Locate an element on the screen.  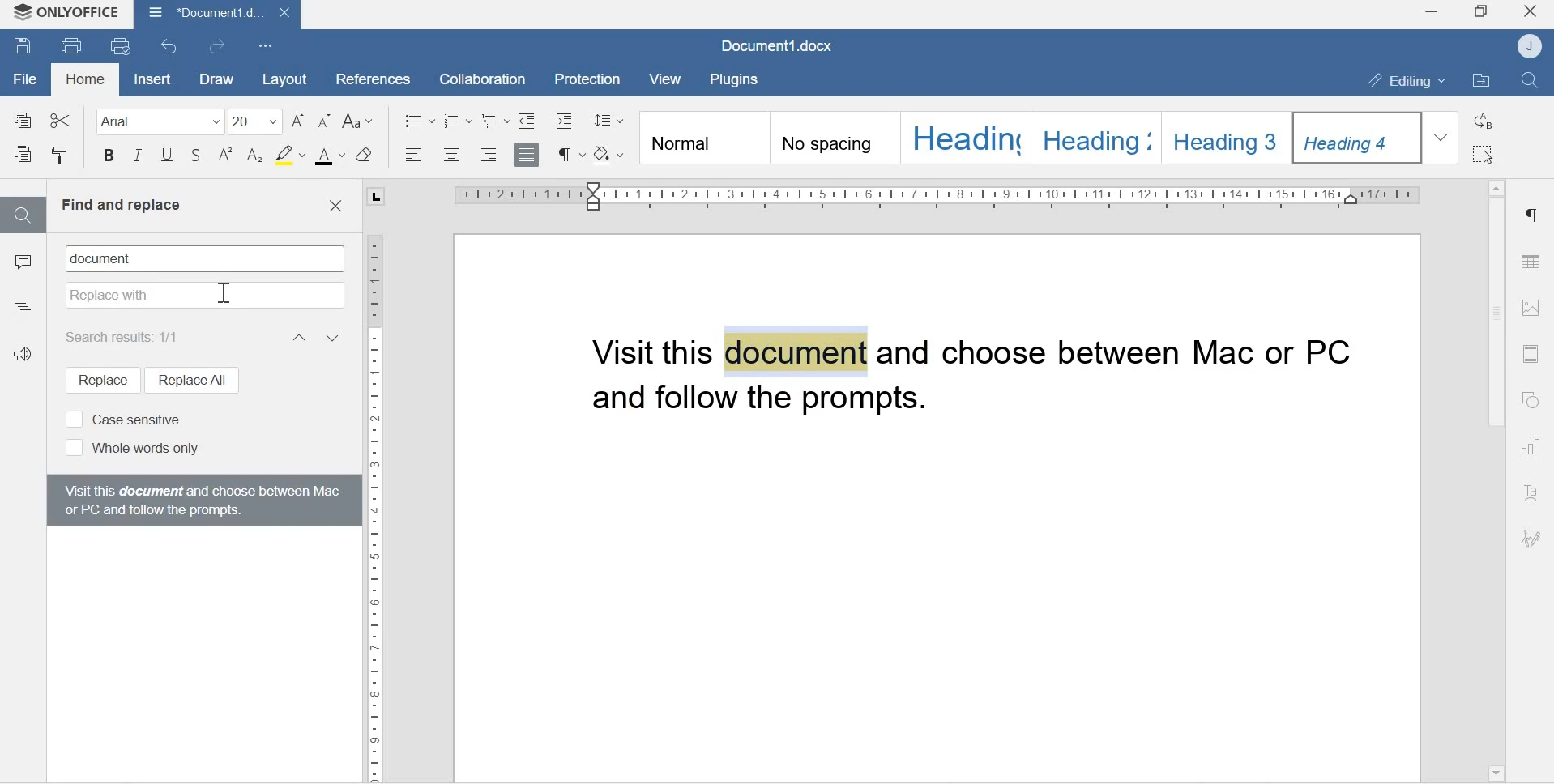
Print file is located at coordinates (73, 45).